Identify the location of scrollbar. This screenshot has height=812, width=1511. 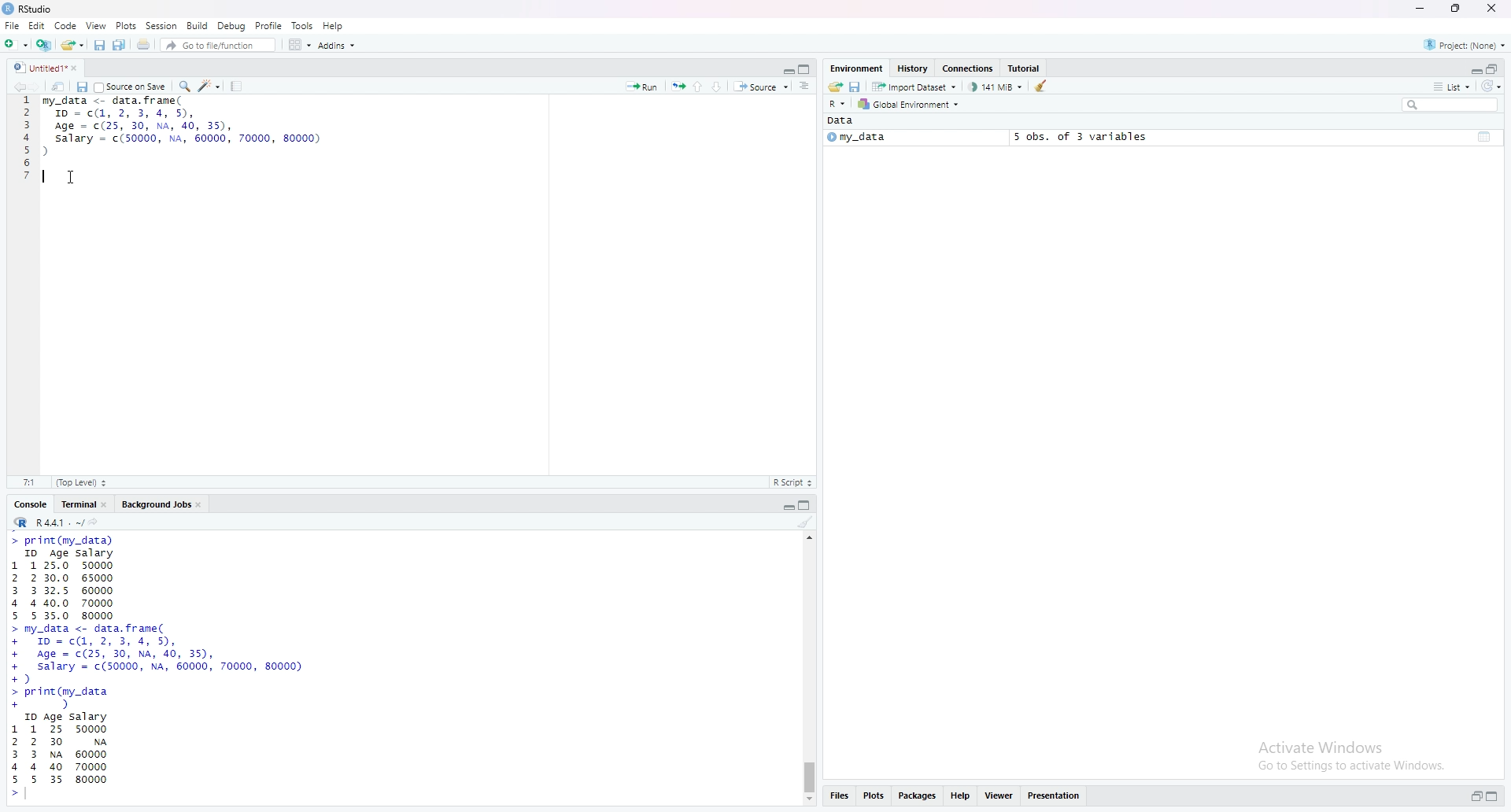
(809, 669).